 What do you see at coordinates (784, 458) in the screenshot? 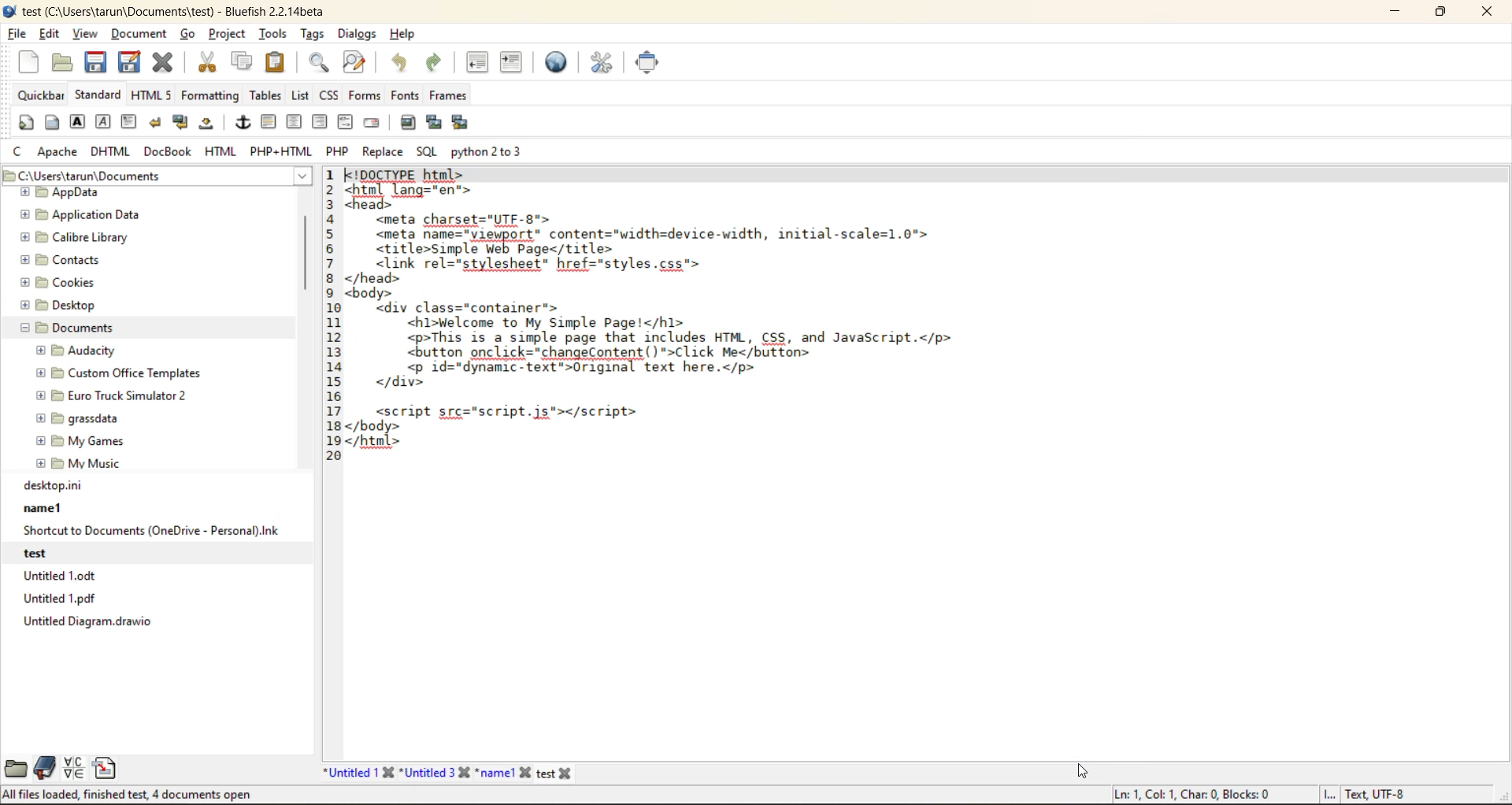
I see `code editor` at bounding box center [784, 458].